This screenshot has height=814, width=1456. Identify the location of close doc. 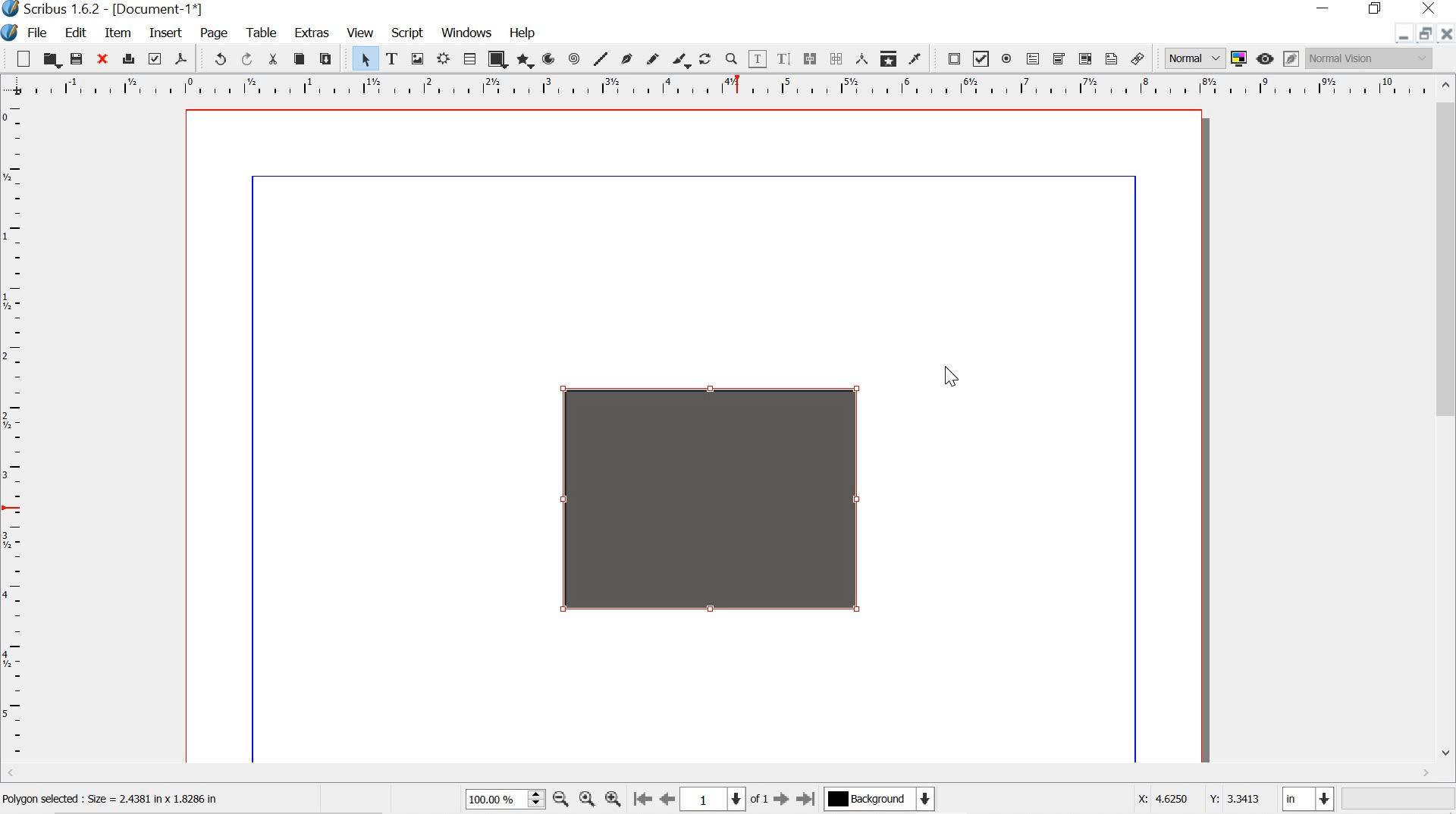
(1447, 33).